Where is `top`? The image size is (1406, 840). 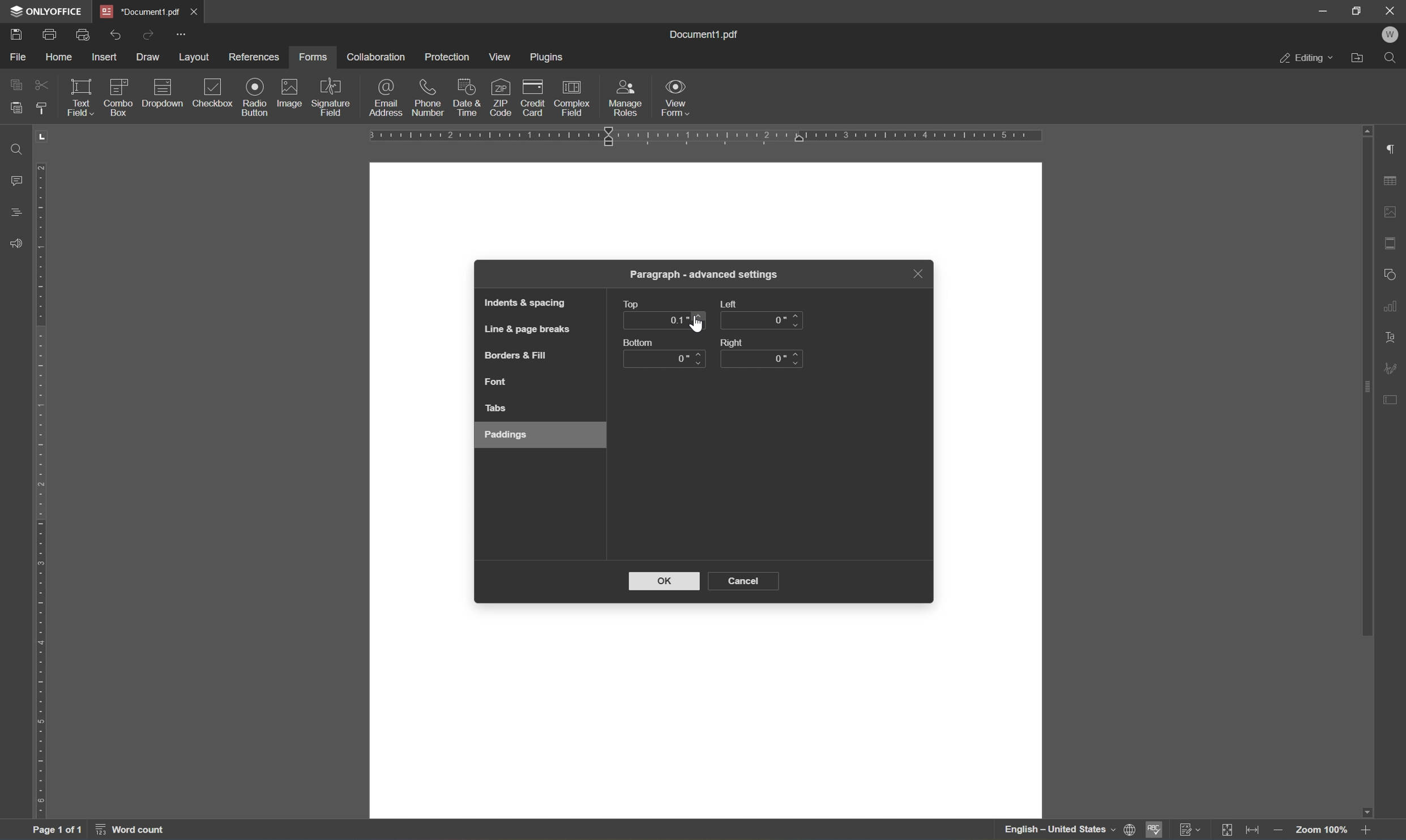
top is located at coordinates (633, 303).